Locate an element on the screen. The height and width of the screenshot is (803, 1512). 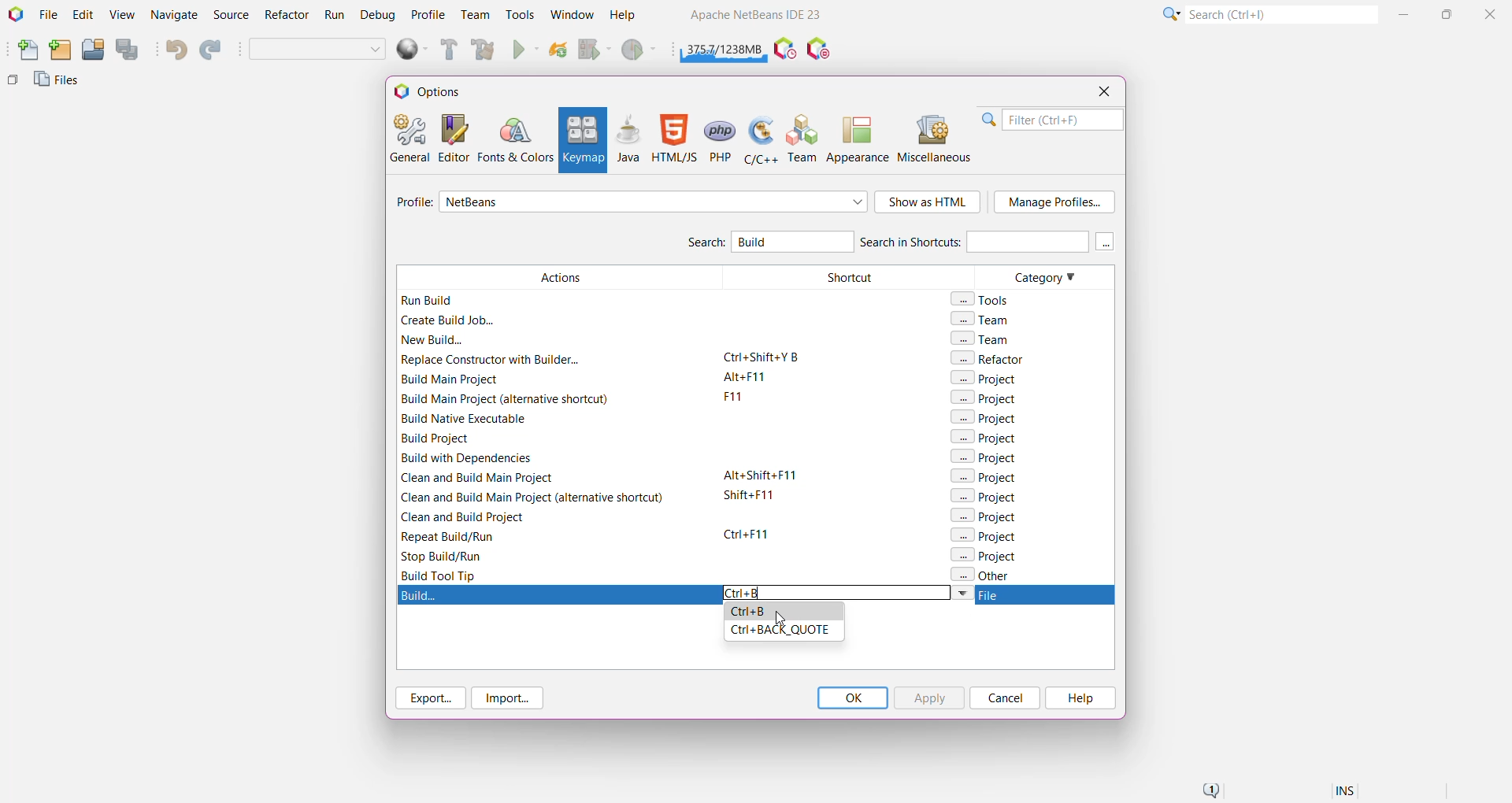
Application Logo is located at coordinates (14, 15).